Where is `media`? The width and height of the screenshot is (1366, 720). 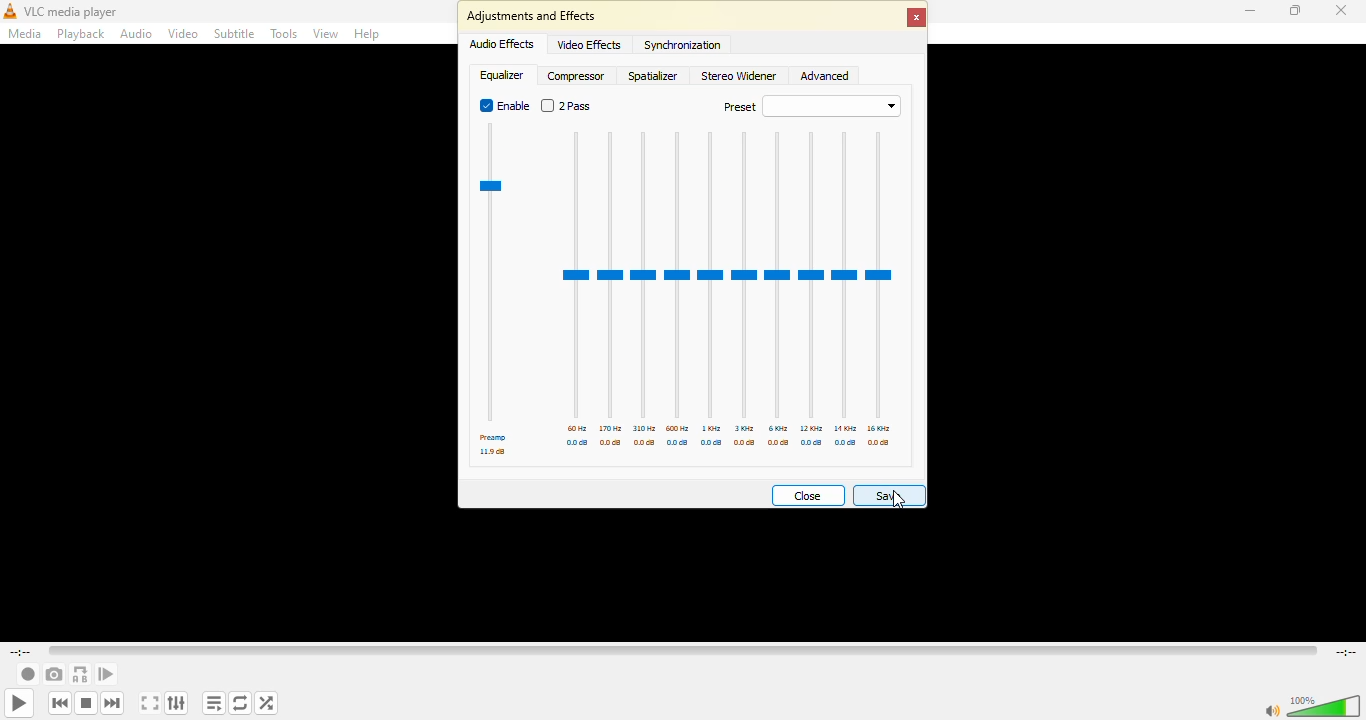 media is located at coordinates (26, 33).